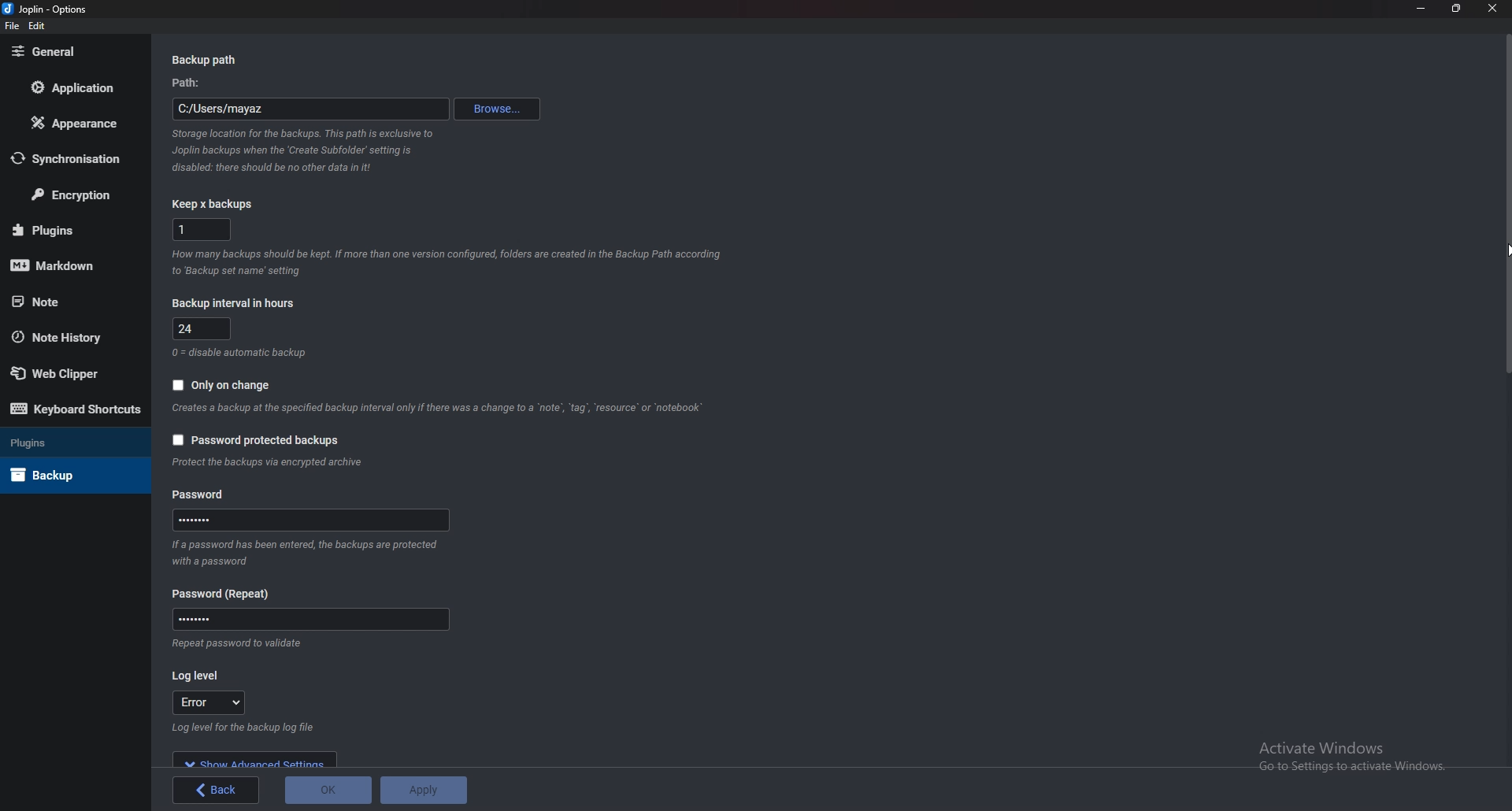  I want to click on Hours, so click(204, 328).